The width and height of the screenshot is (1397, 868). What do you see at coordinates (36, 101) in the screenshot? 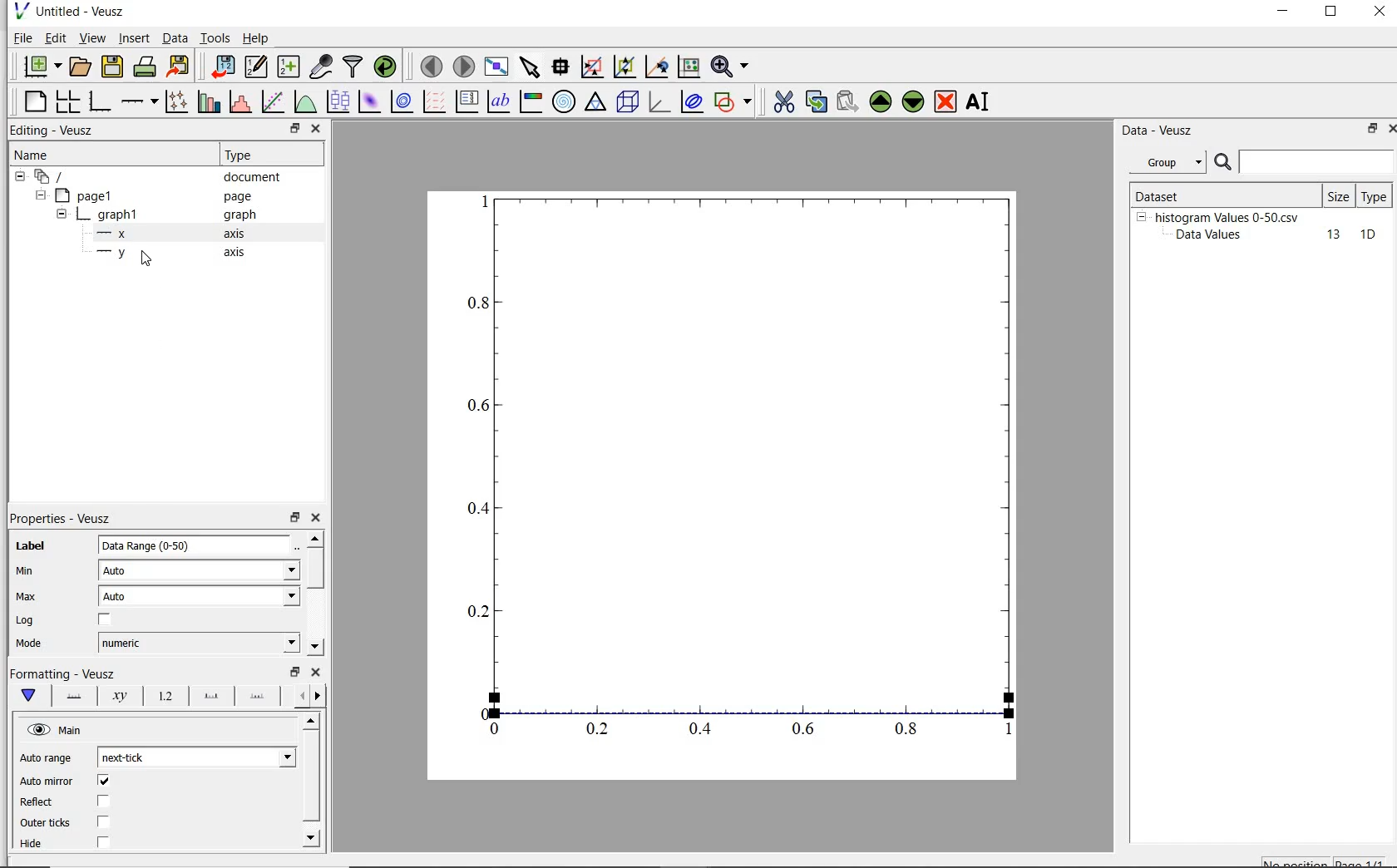
I see `blank page` at bounding box center [36, 101].